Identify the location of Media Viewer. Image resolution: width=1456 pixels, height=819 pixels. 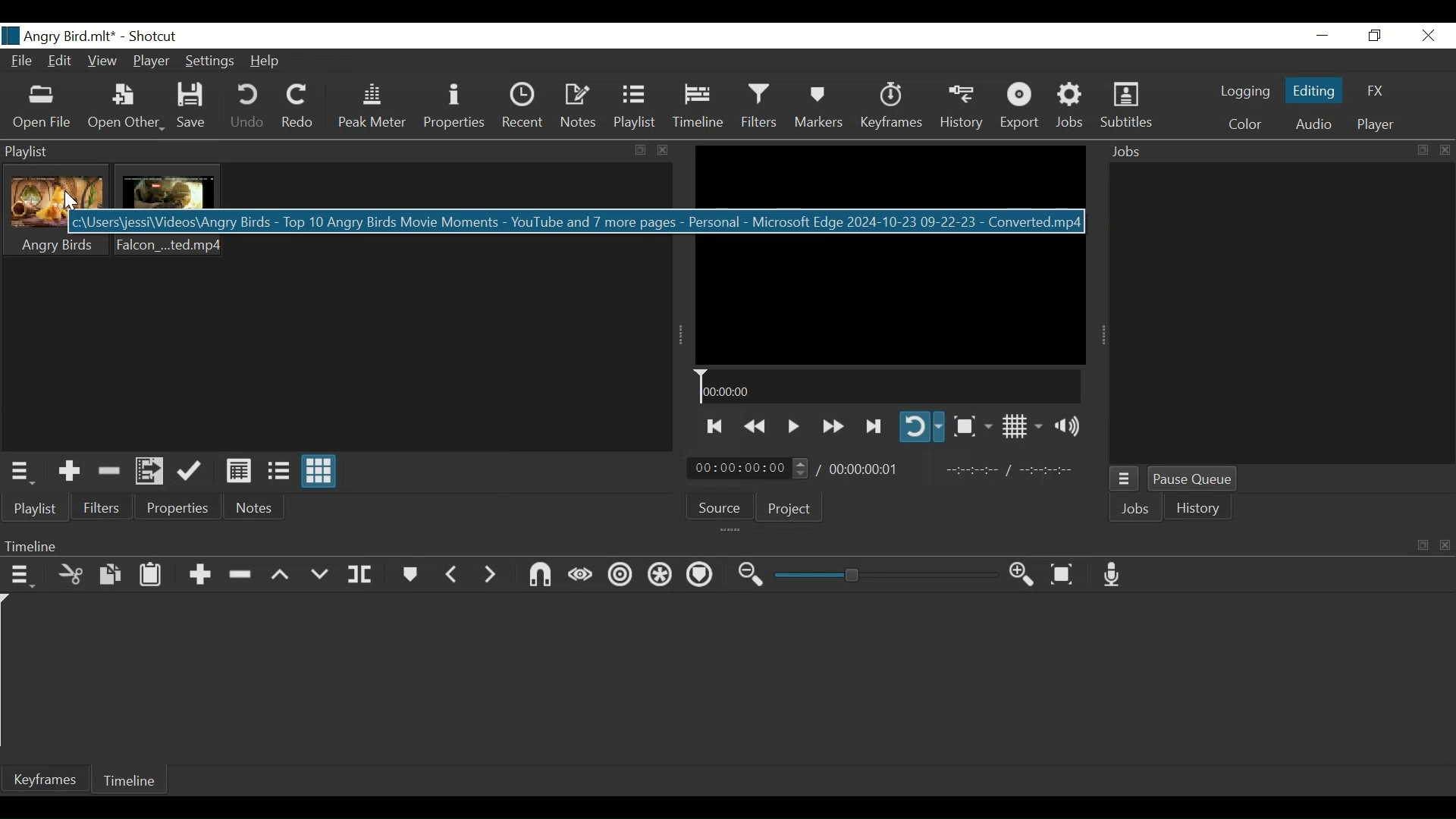
(890, 255).